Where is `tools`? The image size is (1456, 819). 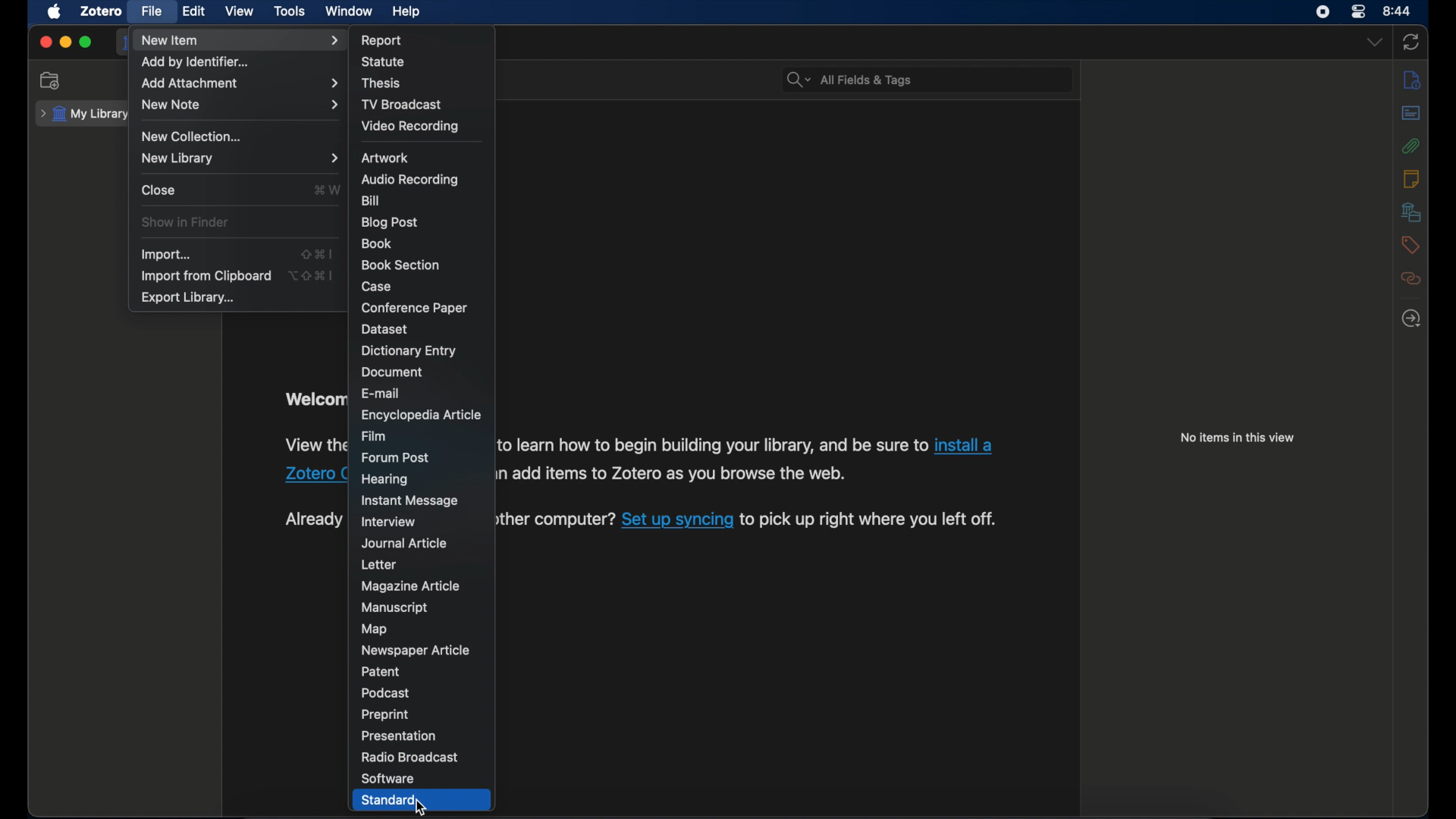
tools is located at coordinates (290, 12).